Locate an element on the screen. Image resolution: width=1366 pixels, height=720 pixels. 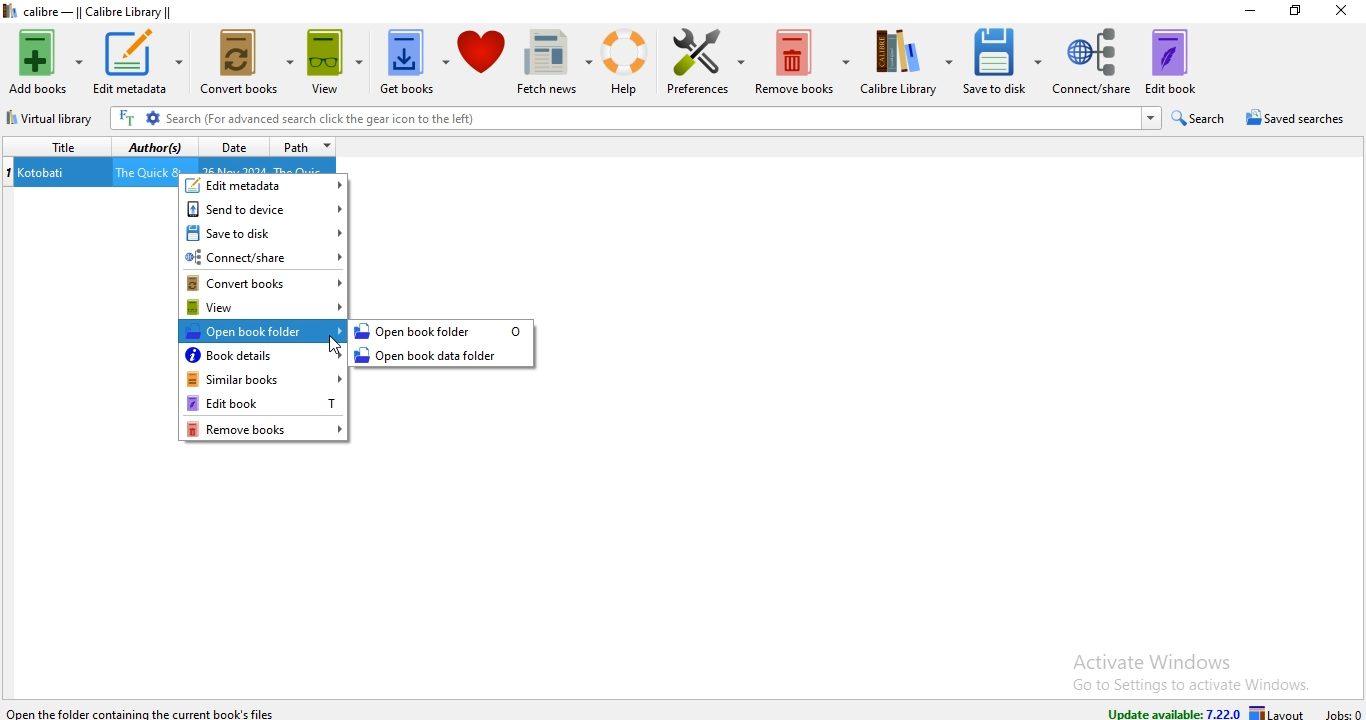
send to device is located at coordinates (265, 207).